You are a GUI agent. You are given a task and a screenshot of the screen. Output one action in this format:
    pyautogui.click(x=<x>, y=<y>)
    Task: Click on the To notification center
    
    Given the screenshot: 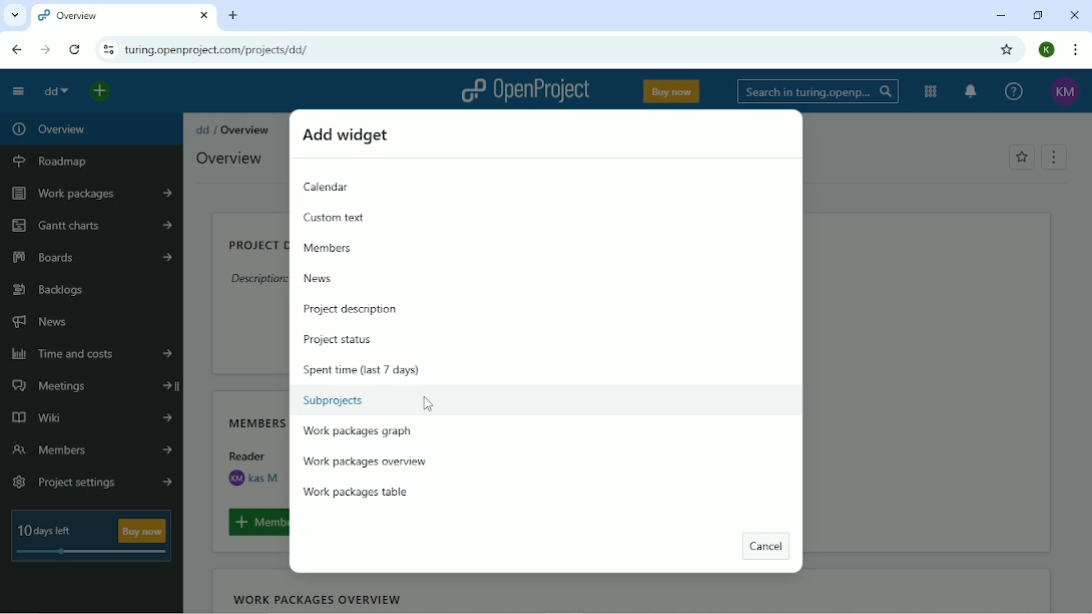 What is the action you would take?
    pyautogui.click(x=971, y=90)
    